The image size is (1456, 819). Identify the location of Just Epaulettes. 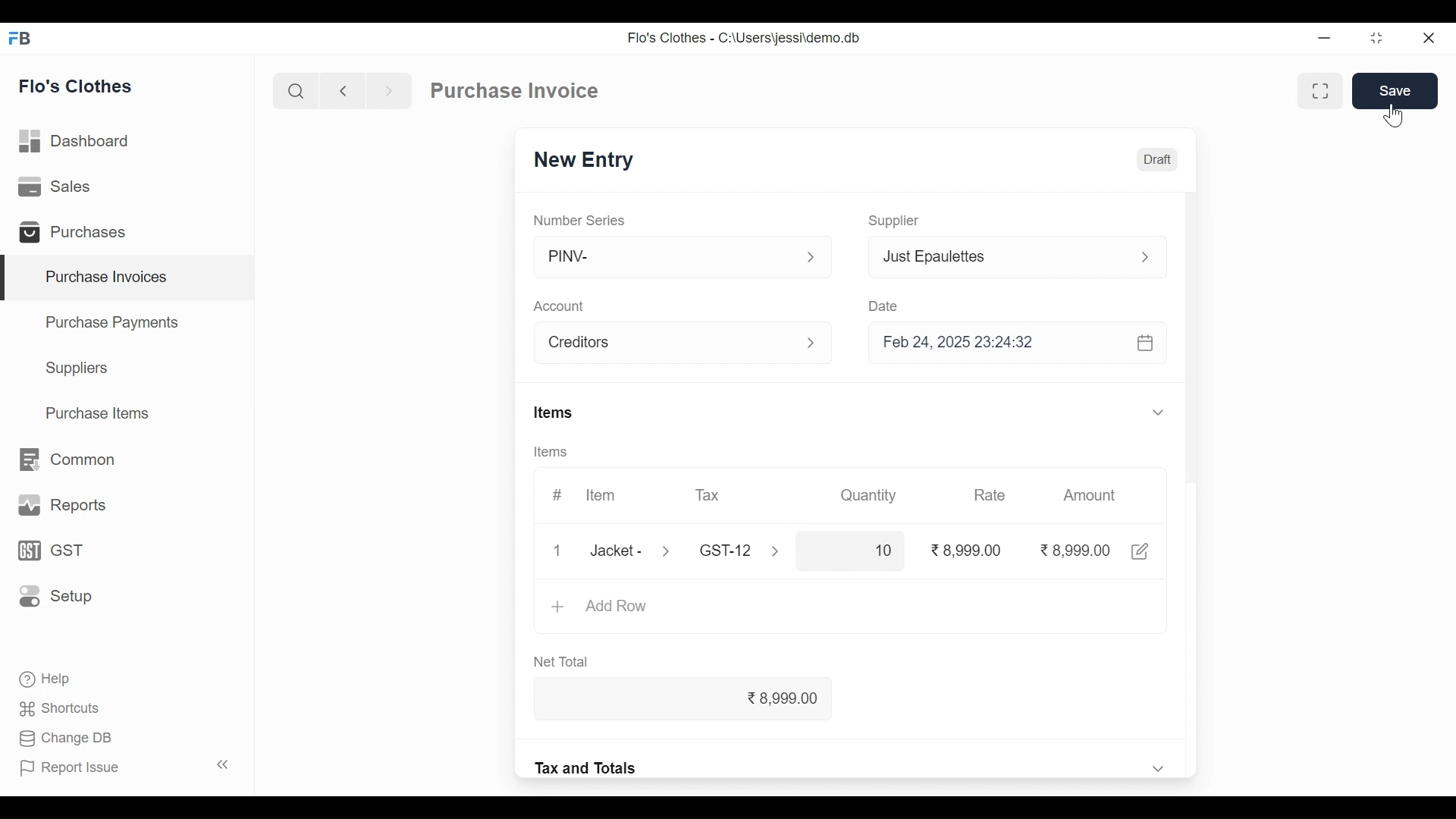
(999, 256).